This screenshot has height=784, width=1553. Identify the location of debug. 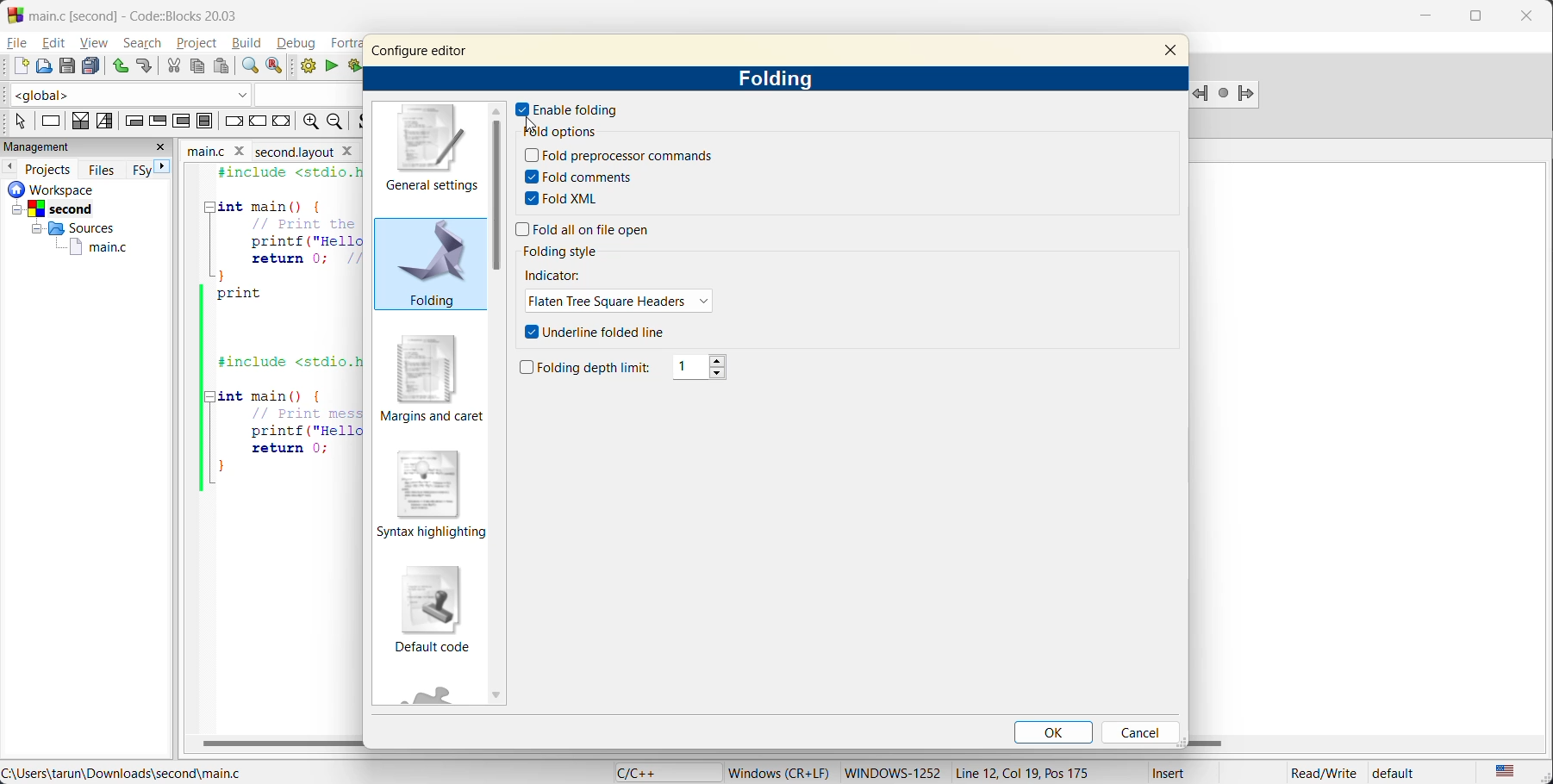
(297, 44).